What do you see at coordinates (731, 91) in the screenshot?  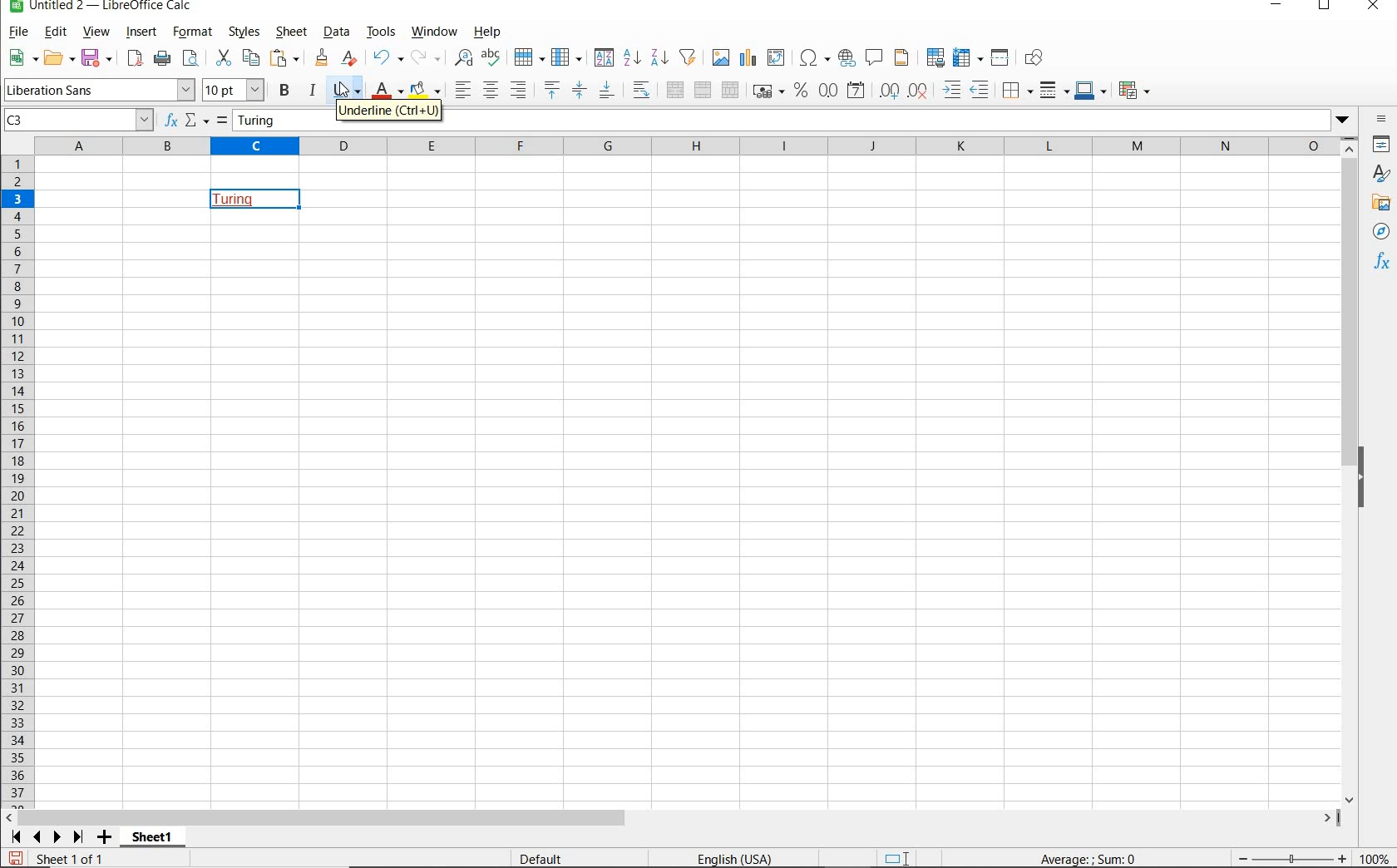 I see `UNMERGE CELLS` at bounding box center [731, 91].